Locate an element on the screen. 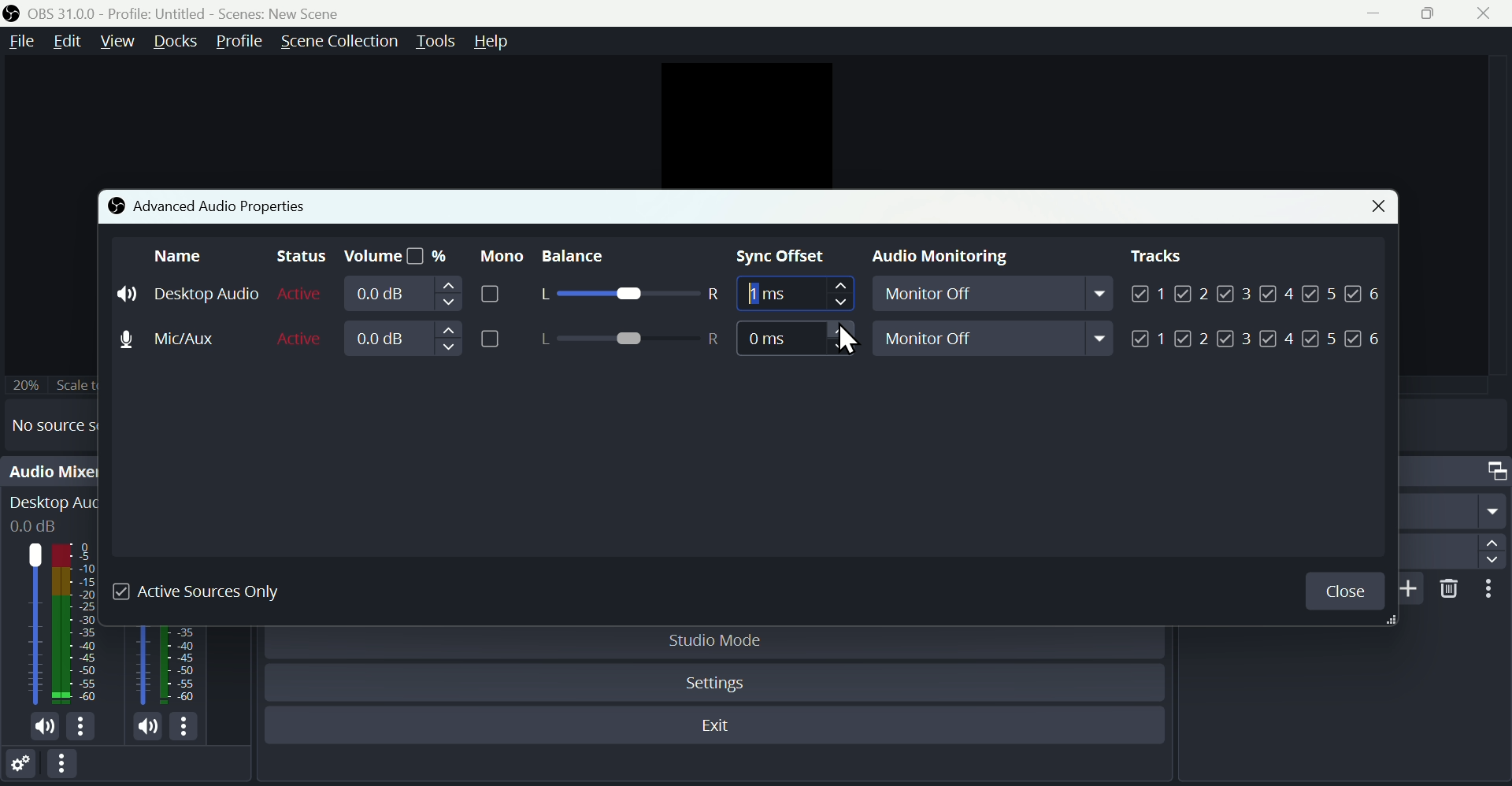  Volume is located at coordinates (428, 294).